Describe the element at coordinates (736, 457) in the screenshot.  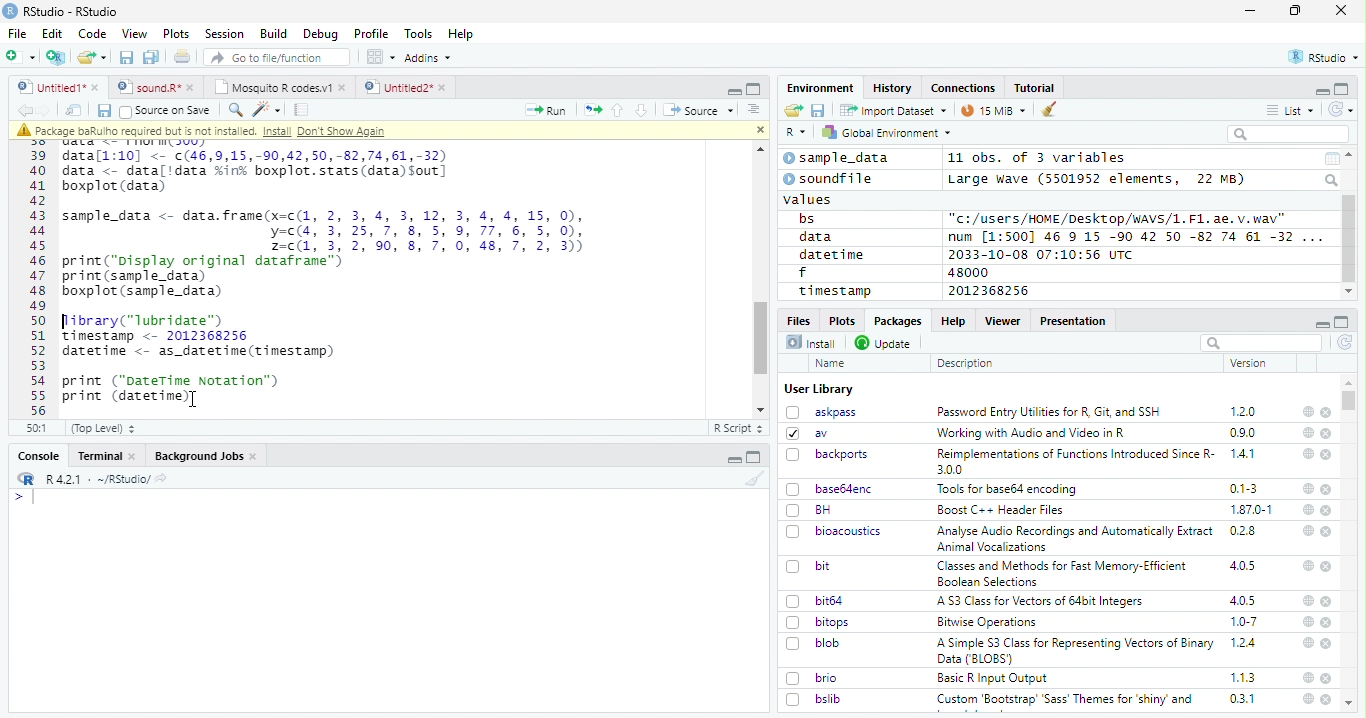
I see `minimize` at that location.